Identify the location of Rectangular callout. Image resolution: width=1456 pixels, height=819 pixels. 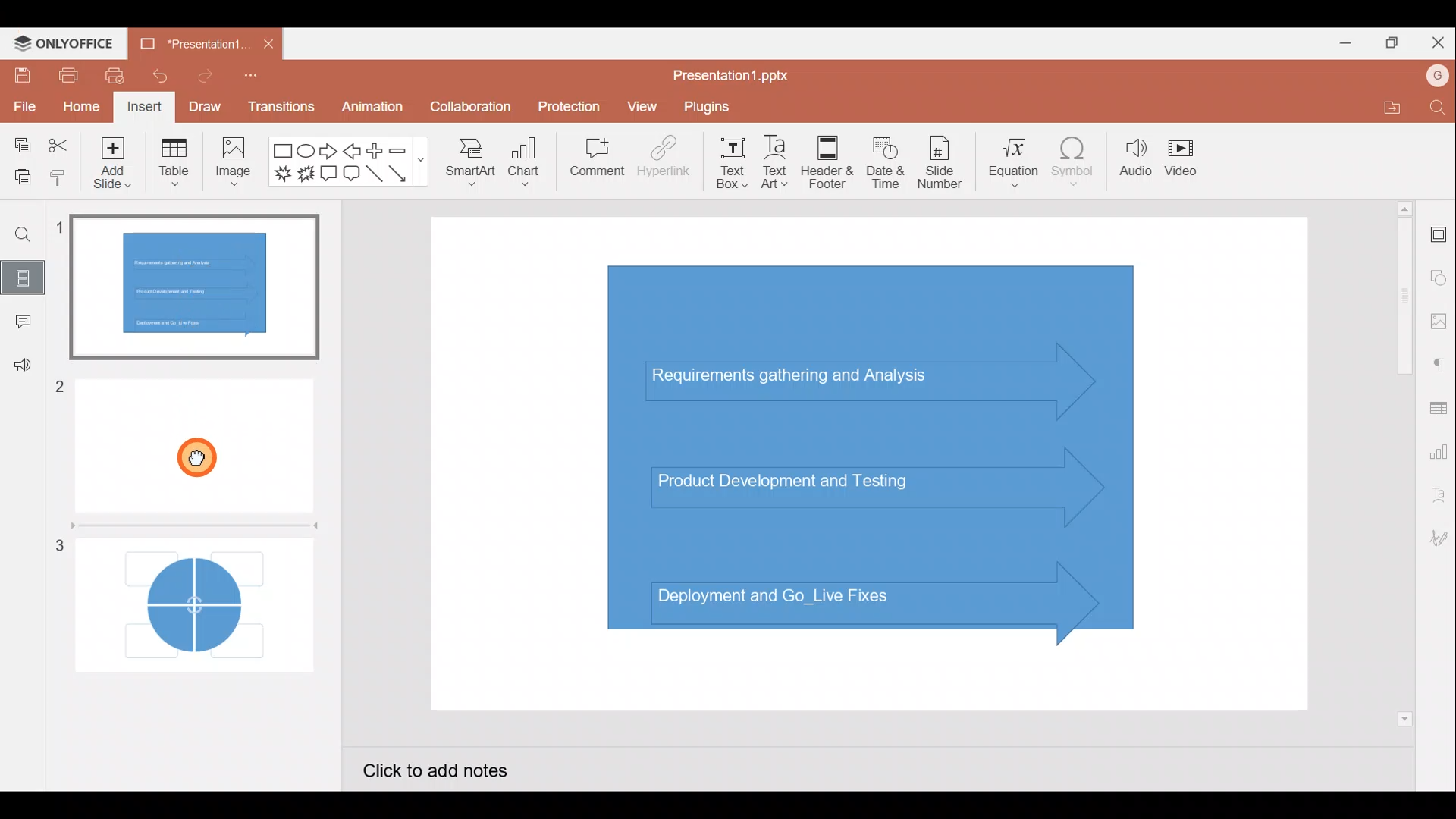
(328, 173).